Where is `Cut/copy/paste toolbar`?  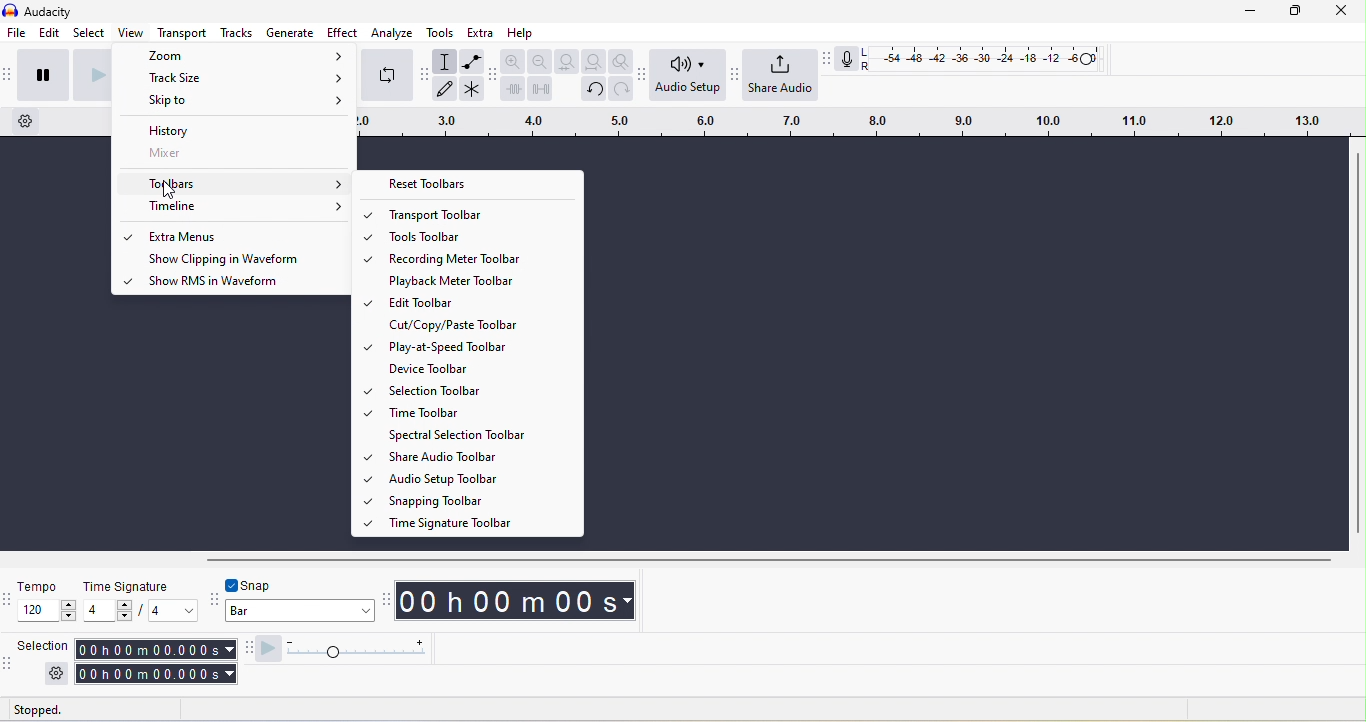
Cut/copy/paste toolbar is located at coordinates (480, 324).